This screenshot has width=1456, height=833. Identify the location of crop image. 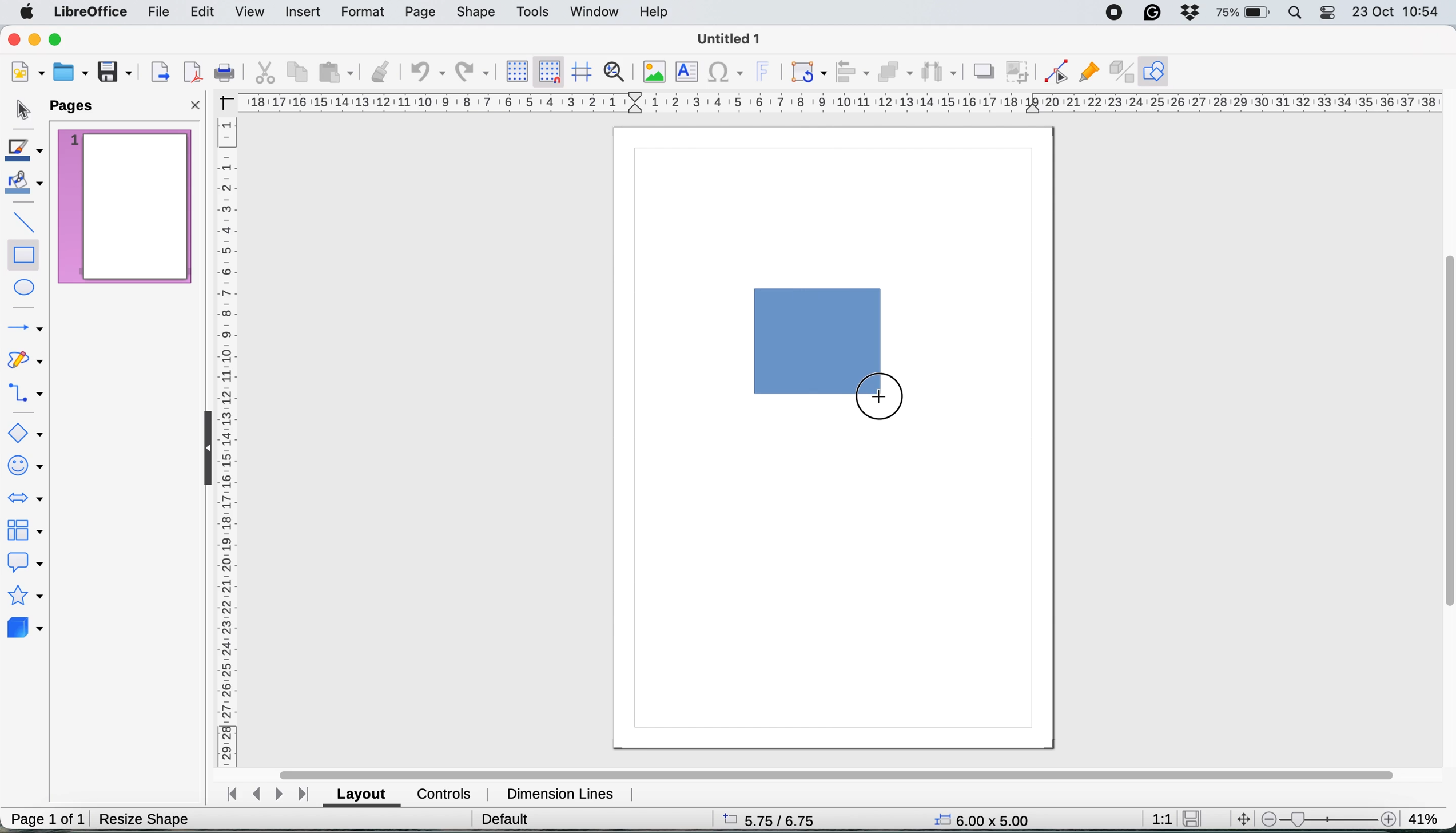
(1018, 73).